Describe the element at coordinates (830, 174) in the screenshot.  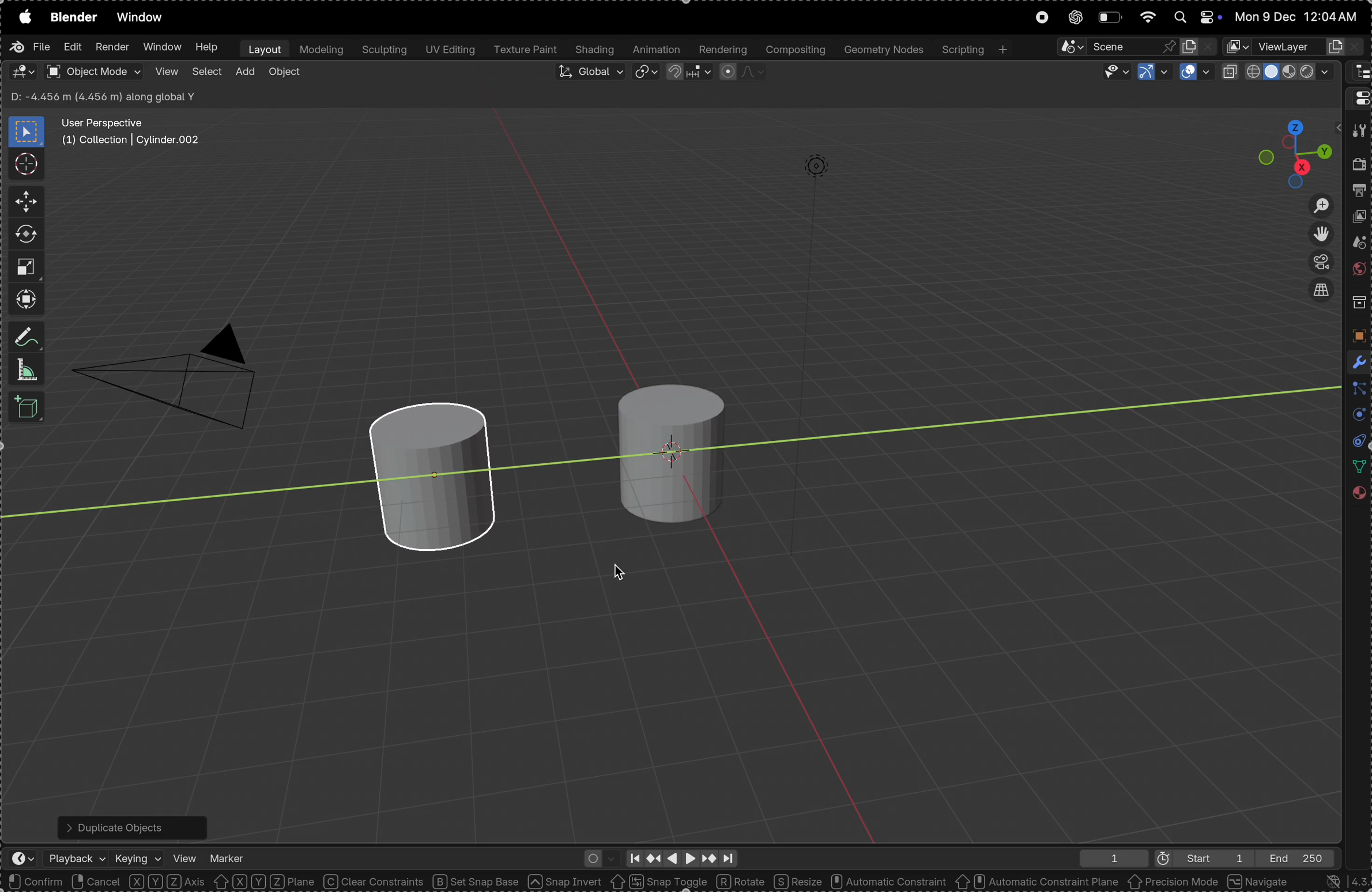
I see `lights` at that location.